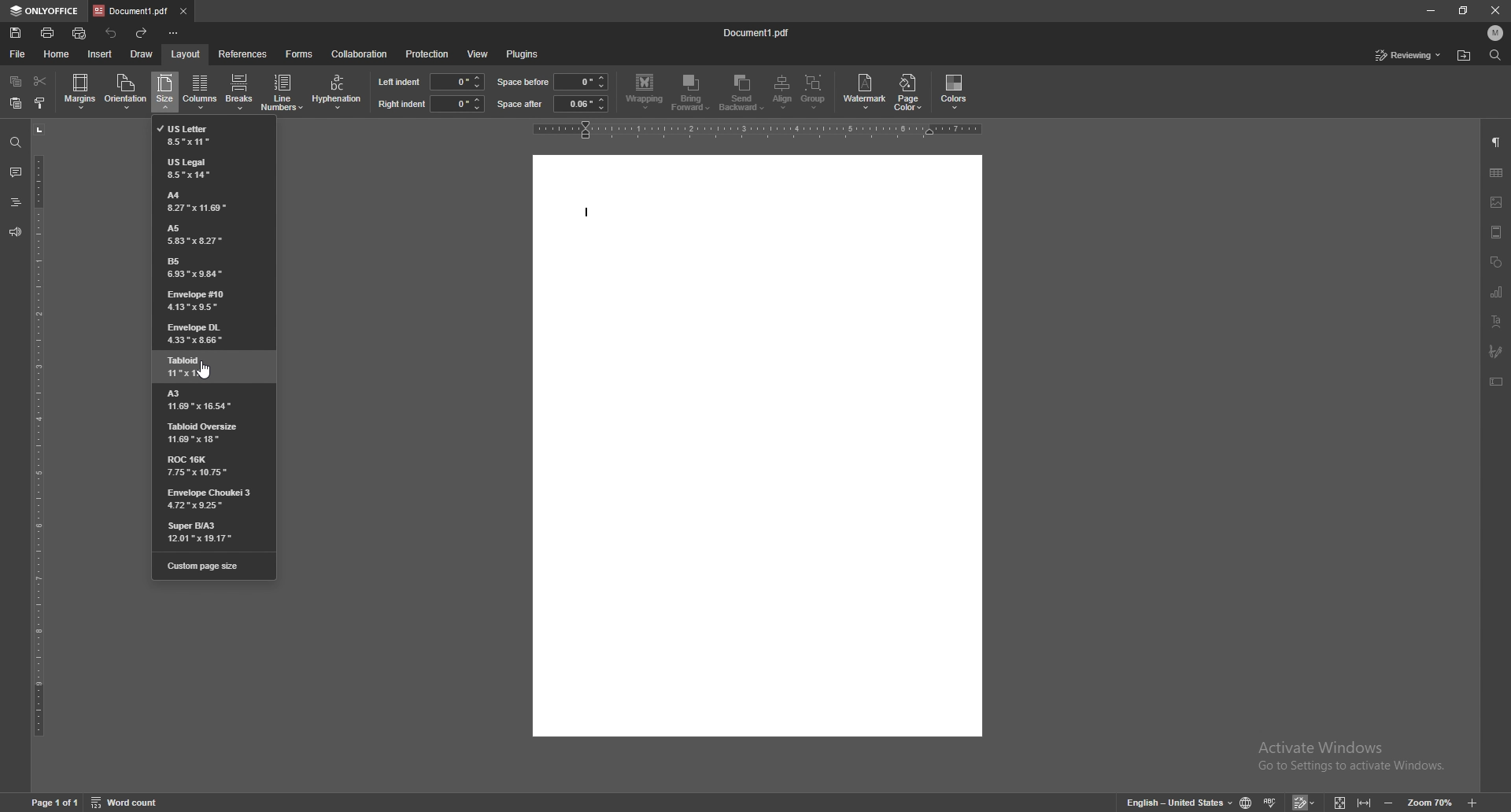 This screenshot has height=812, width=1511. What do you see at coordinates (126, 90) in the screenshot?
I see `orientation` at bounding box center [126, 90].